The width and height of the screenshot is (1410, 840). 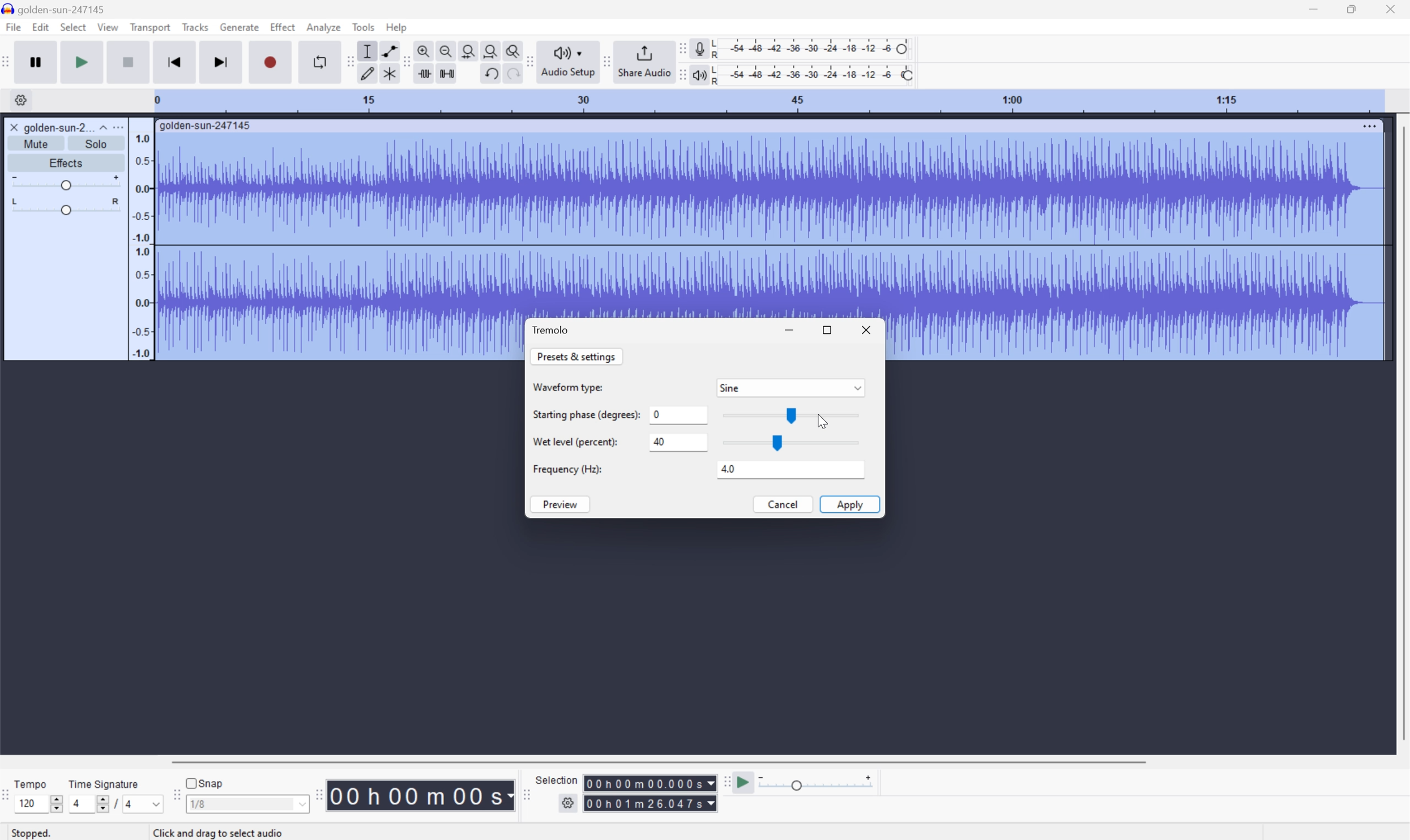 What do you see at coordinates (607, 62) in the screenshot?
I see `Audacity share audio toolbar` at bounding box center [607, 62].